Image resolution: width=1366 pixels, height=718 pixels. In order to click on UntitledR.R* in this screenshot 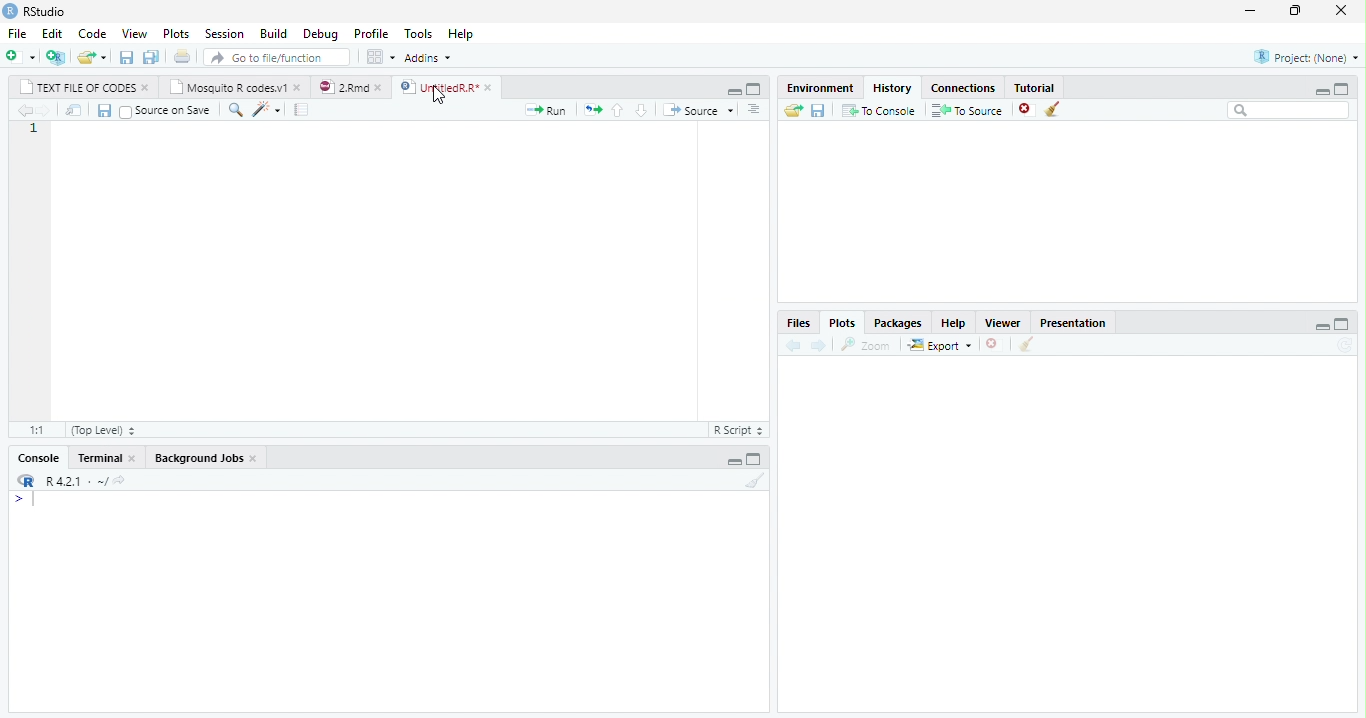, I will do `click(439, 87)`.